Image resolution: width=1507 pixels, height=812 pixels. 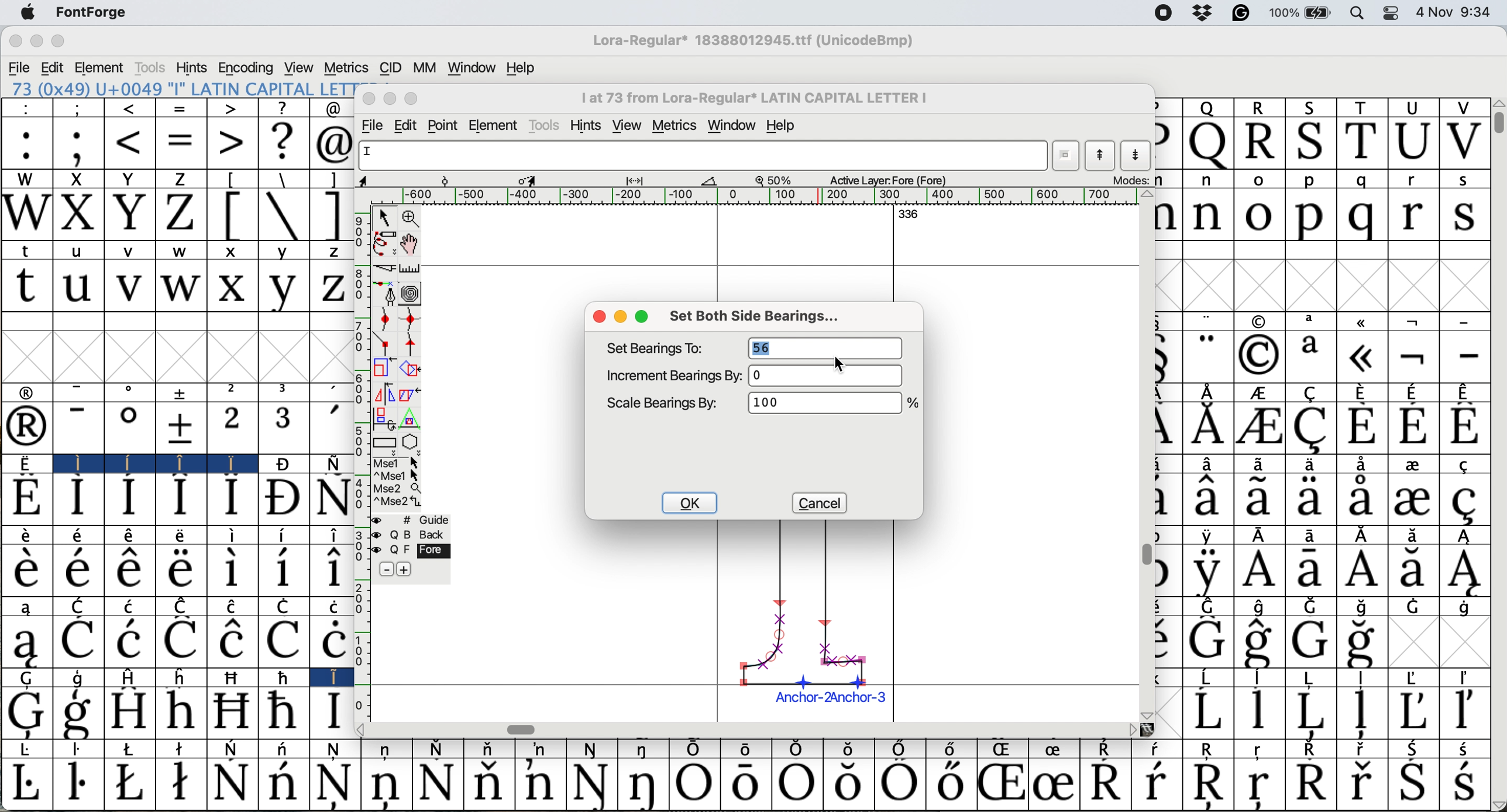 I want to click on Symbol, so click(x=232, y=498).